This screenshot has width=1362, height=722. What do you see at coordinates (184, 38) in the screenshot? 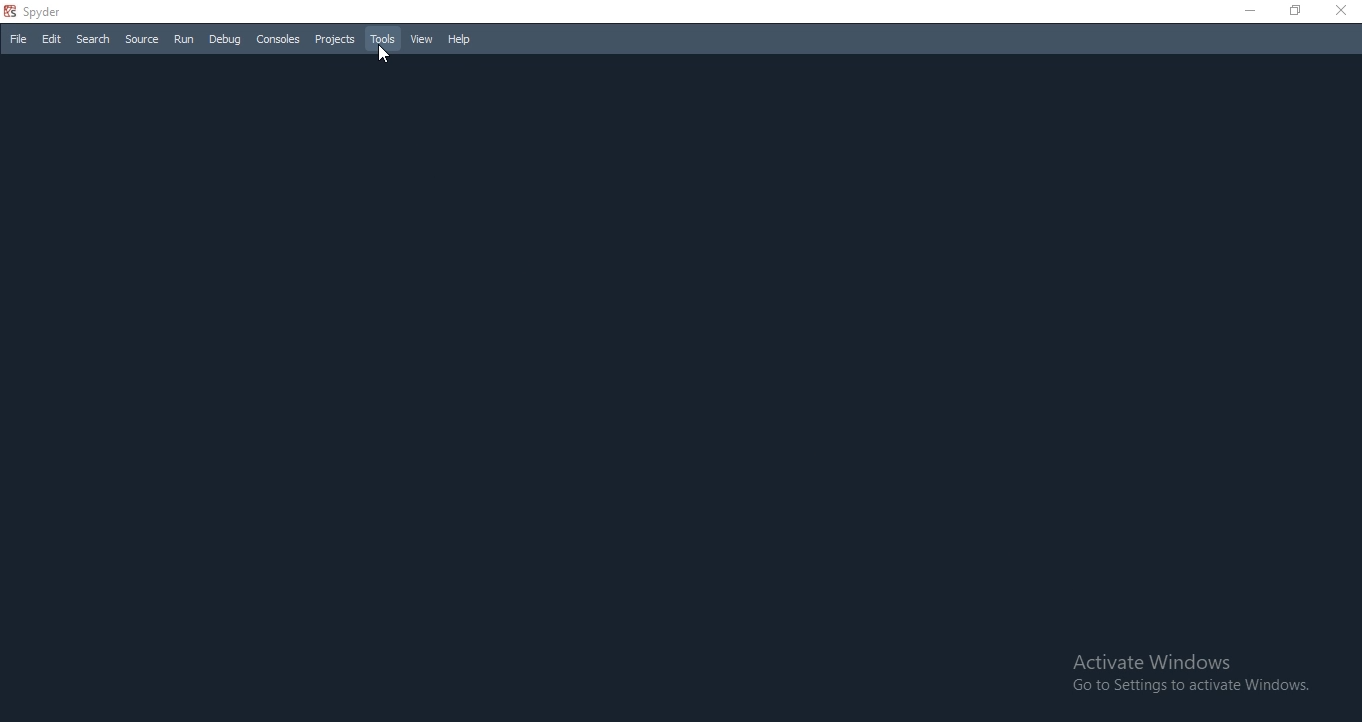
I see `Run` at bounding box center [184, 38].